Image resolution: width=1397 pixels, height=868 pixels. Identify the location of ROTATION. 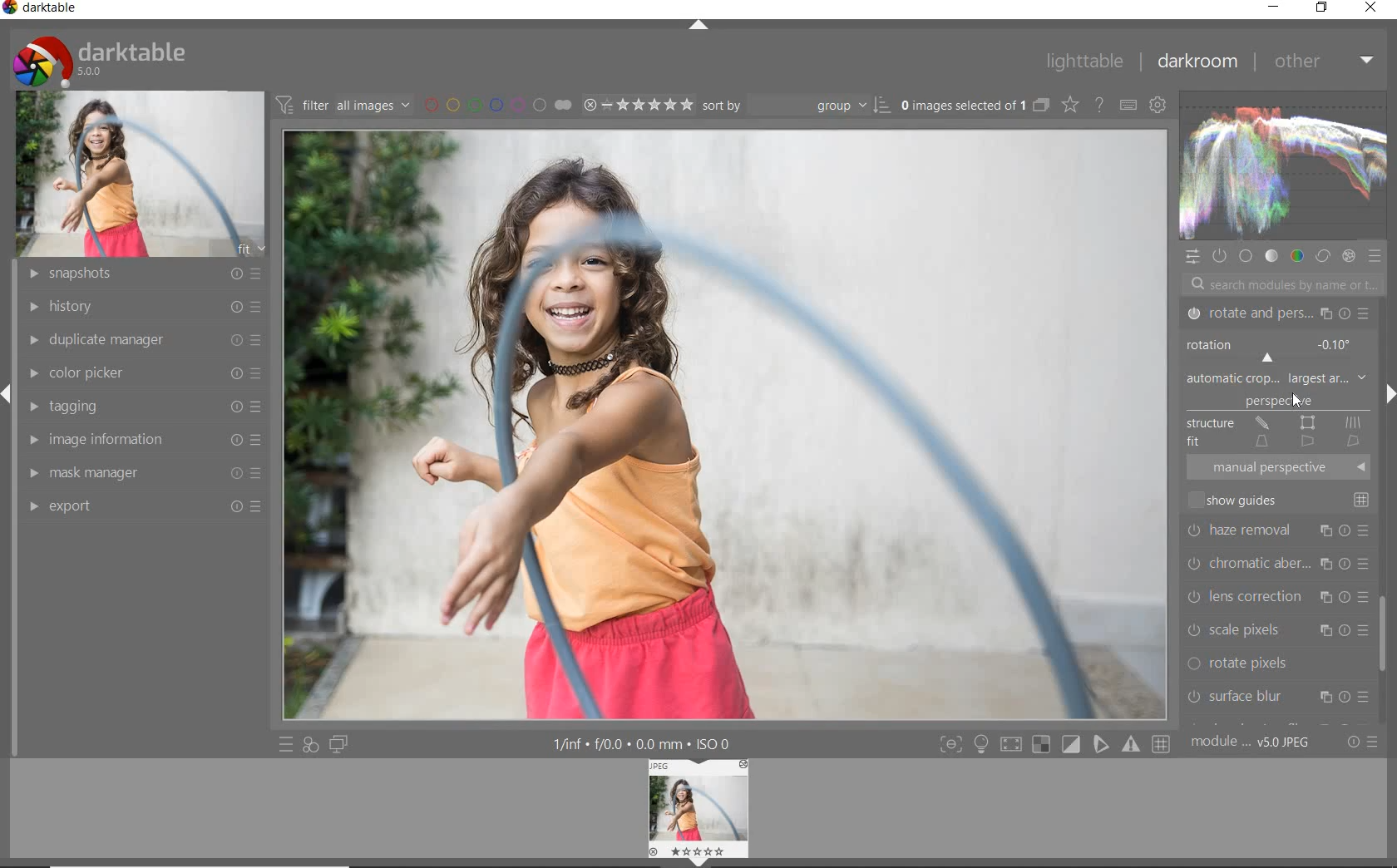
(1274, 350).